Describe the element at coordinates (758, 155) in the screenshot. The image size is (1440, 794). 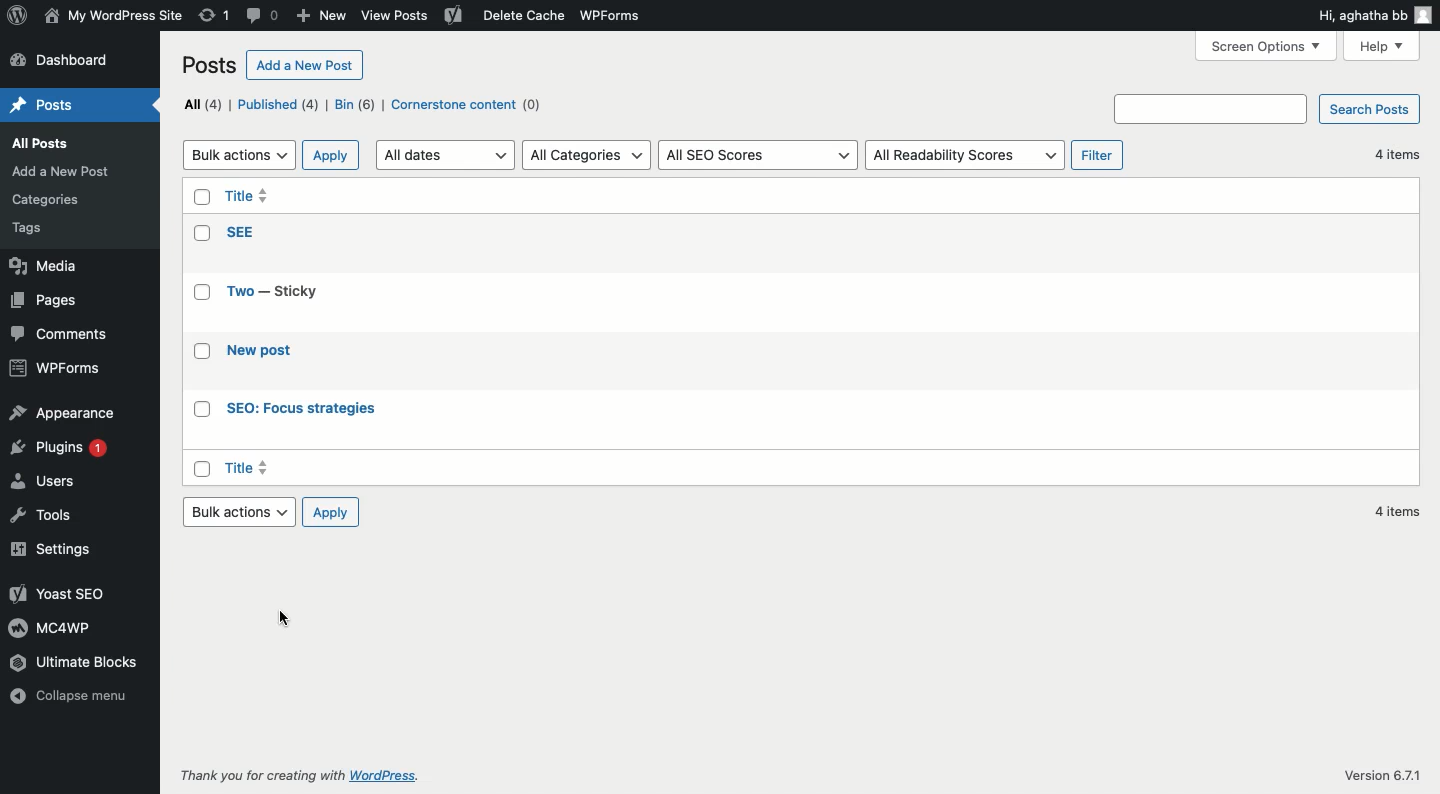
I see `All SEO scores` at that location.